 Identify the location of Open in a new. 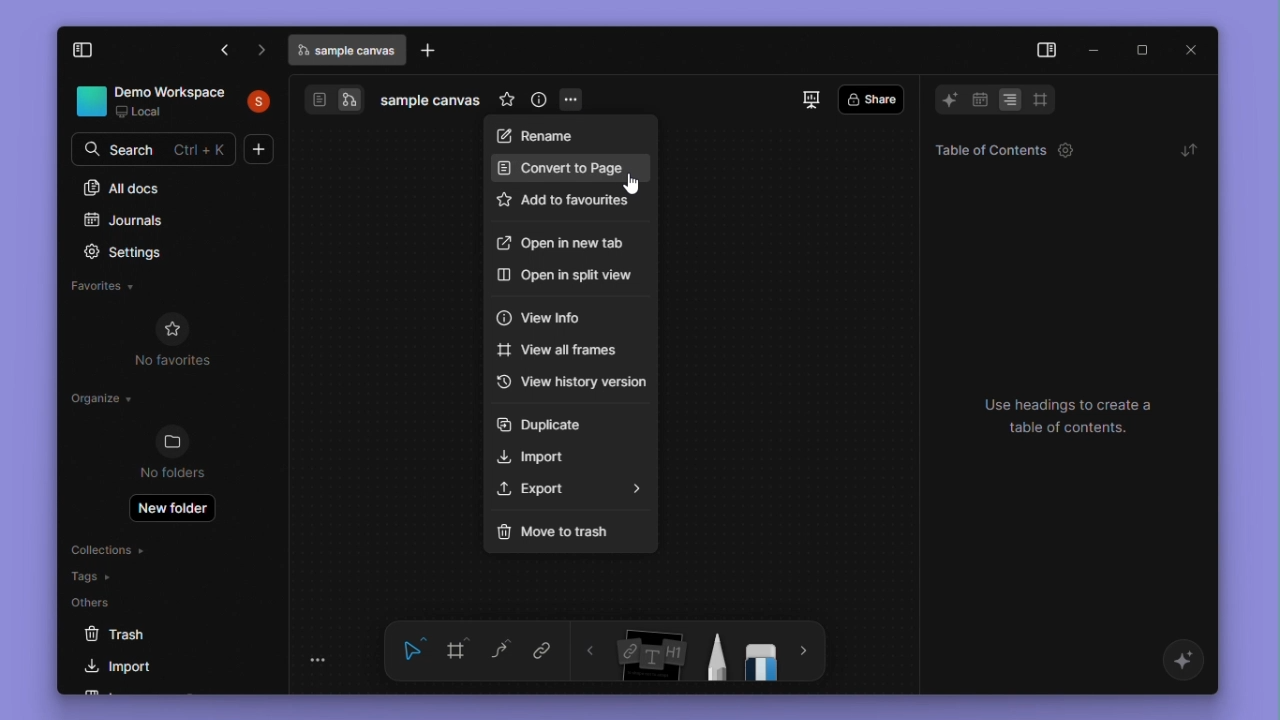
(563, 241).